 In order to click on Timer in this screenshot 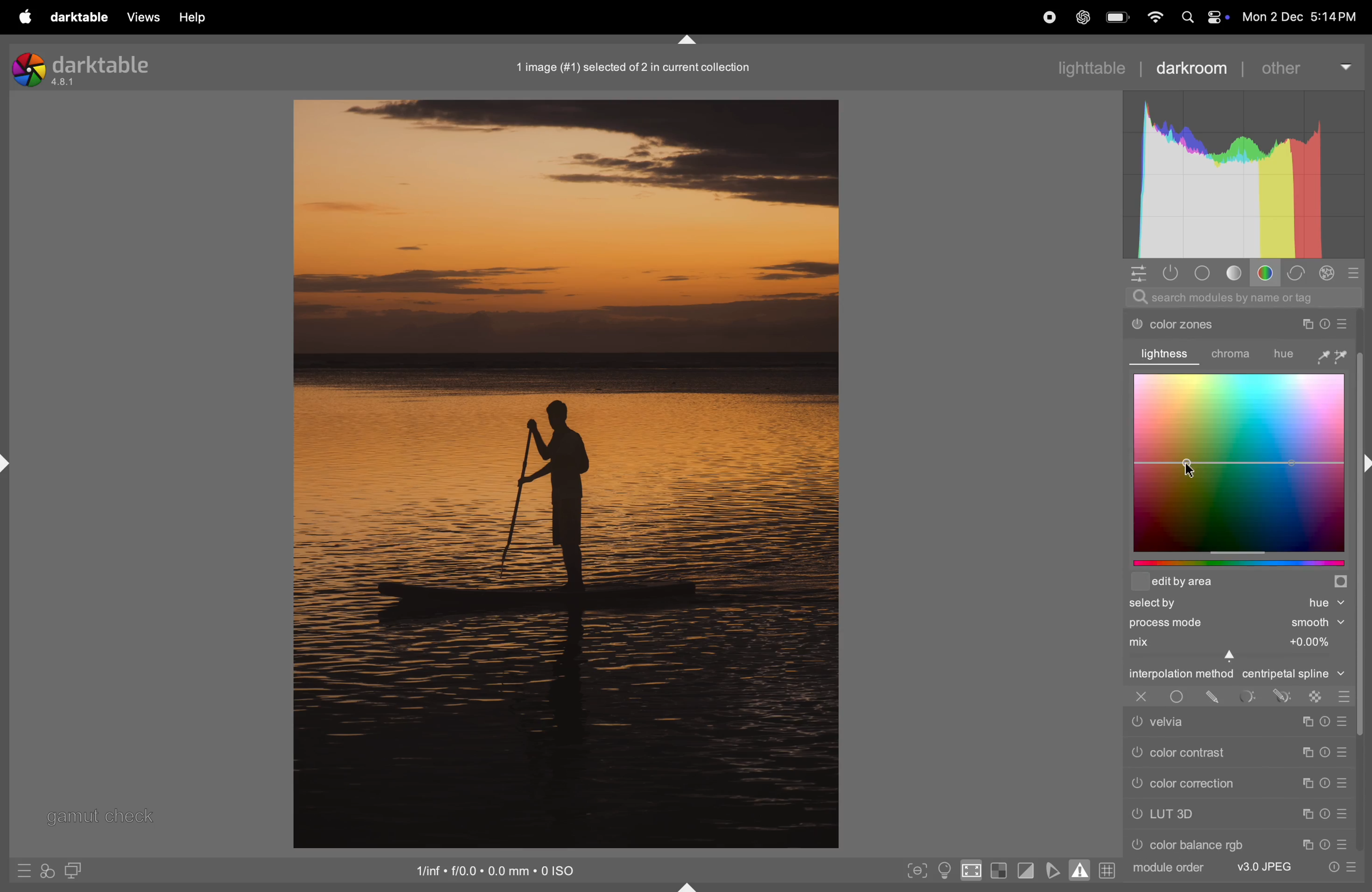, I will do `click(1325, 845)`.